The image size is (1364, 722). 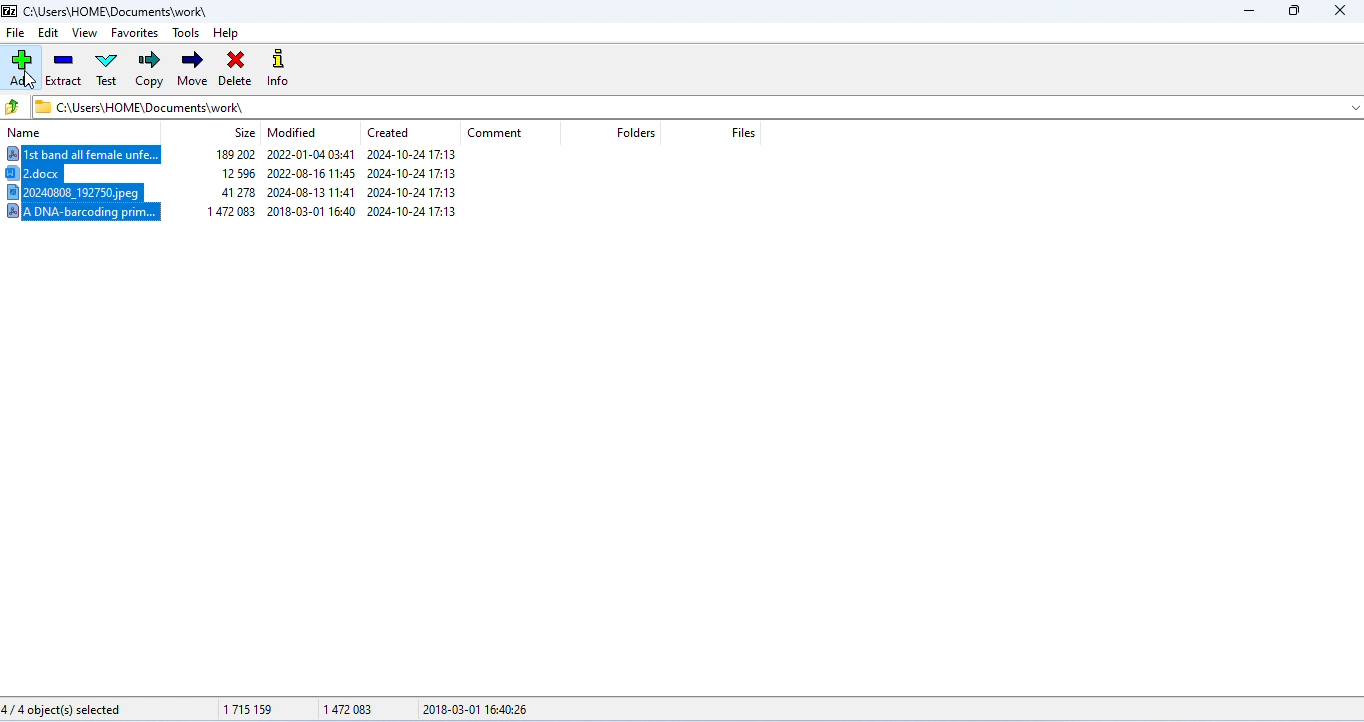 I want to click on test, so click(x=107, y=68).